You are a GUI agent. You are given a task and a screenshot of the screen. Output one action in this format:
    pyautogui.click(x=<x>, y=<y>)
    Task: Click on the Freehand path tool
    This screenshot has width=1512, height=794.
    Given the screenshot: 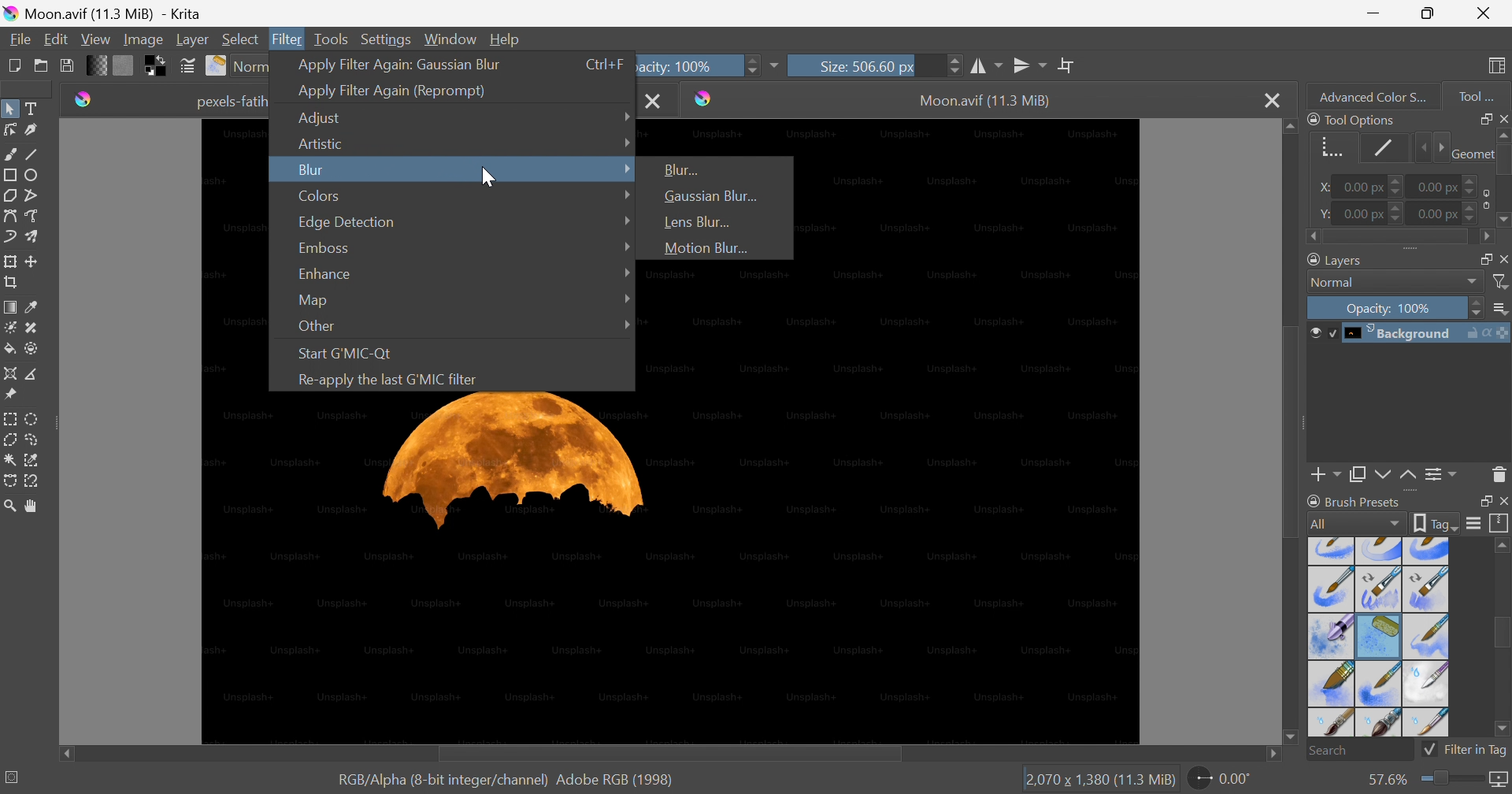 What is the action you would take?
    pyautogui.click(x=32, y=216)
    